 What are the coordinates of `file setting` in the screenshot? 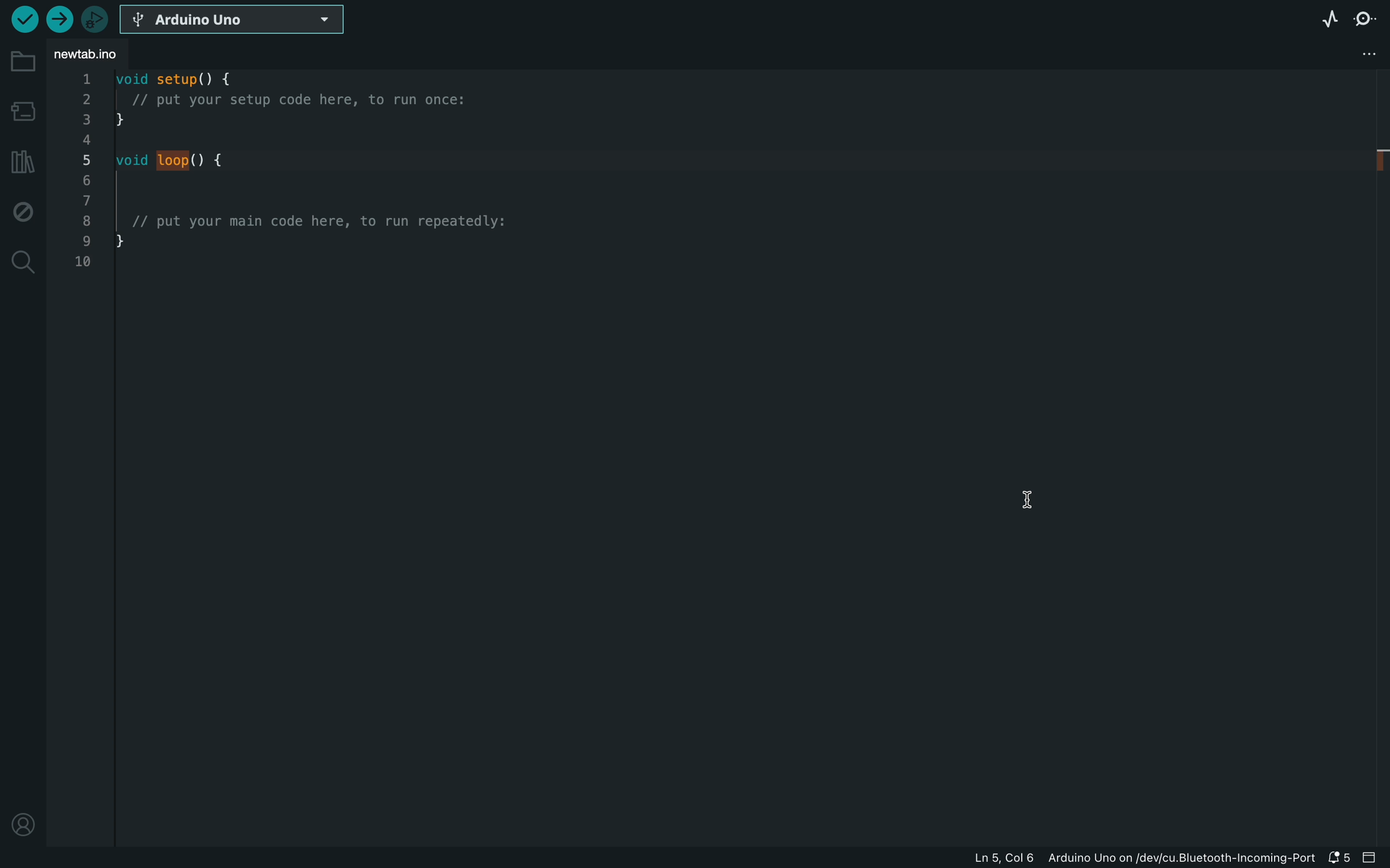 It's located at (1346, 55).